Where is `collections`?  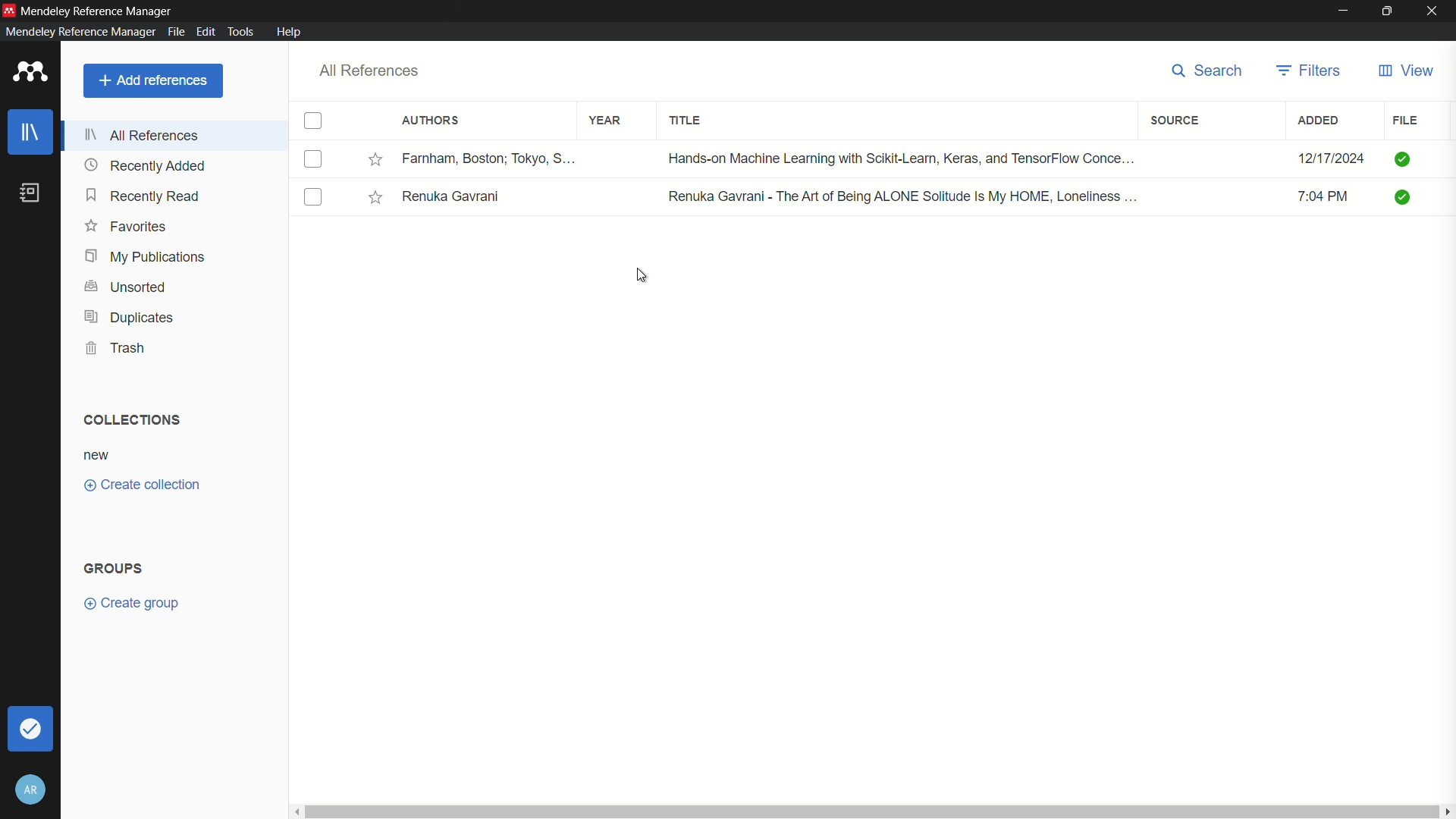 collections is located at coordinates (132, 420).